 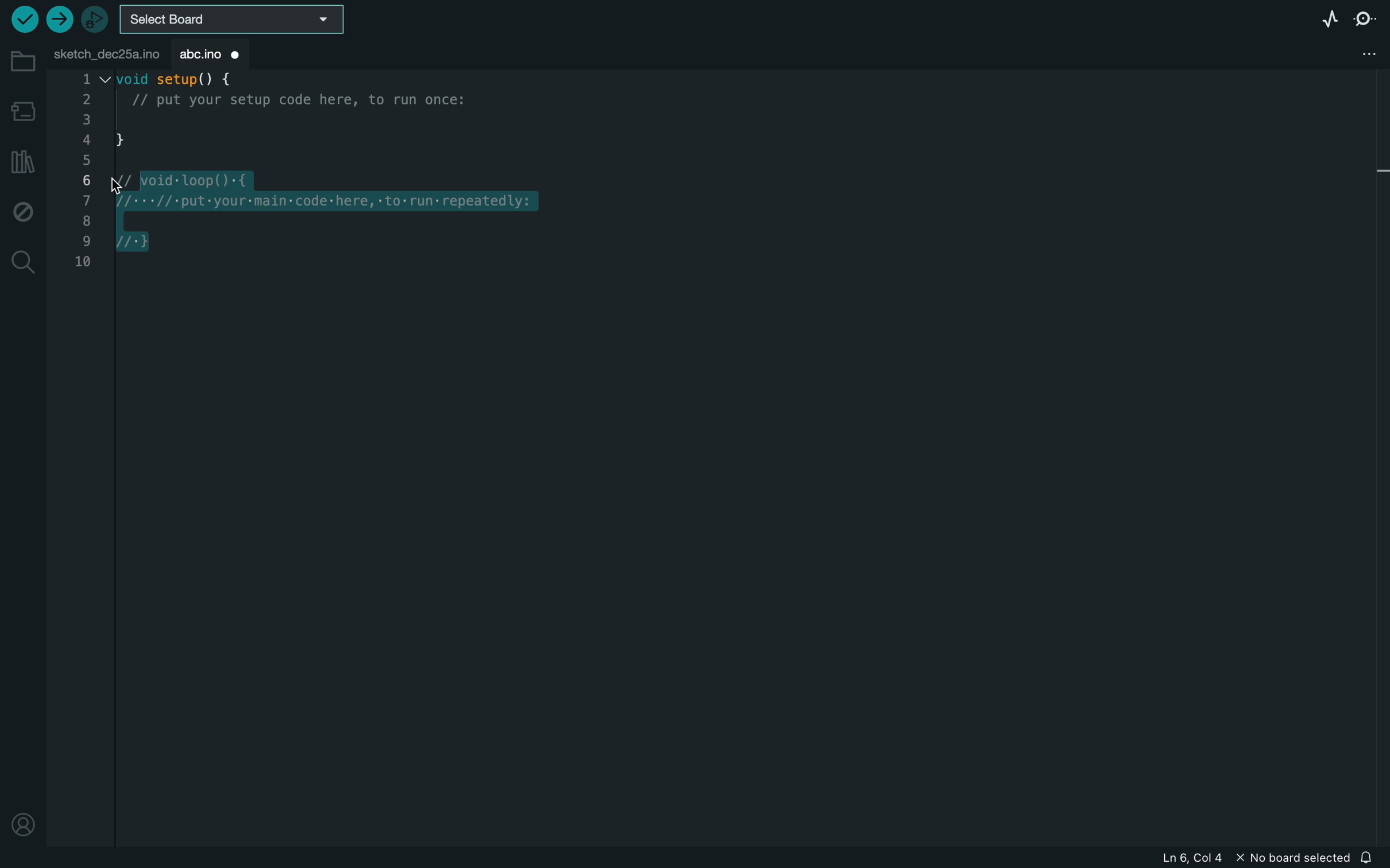 I want to click on code, so click(x=355, y=173).